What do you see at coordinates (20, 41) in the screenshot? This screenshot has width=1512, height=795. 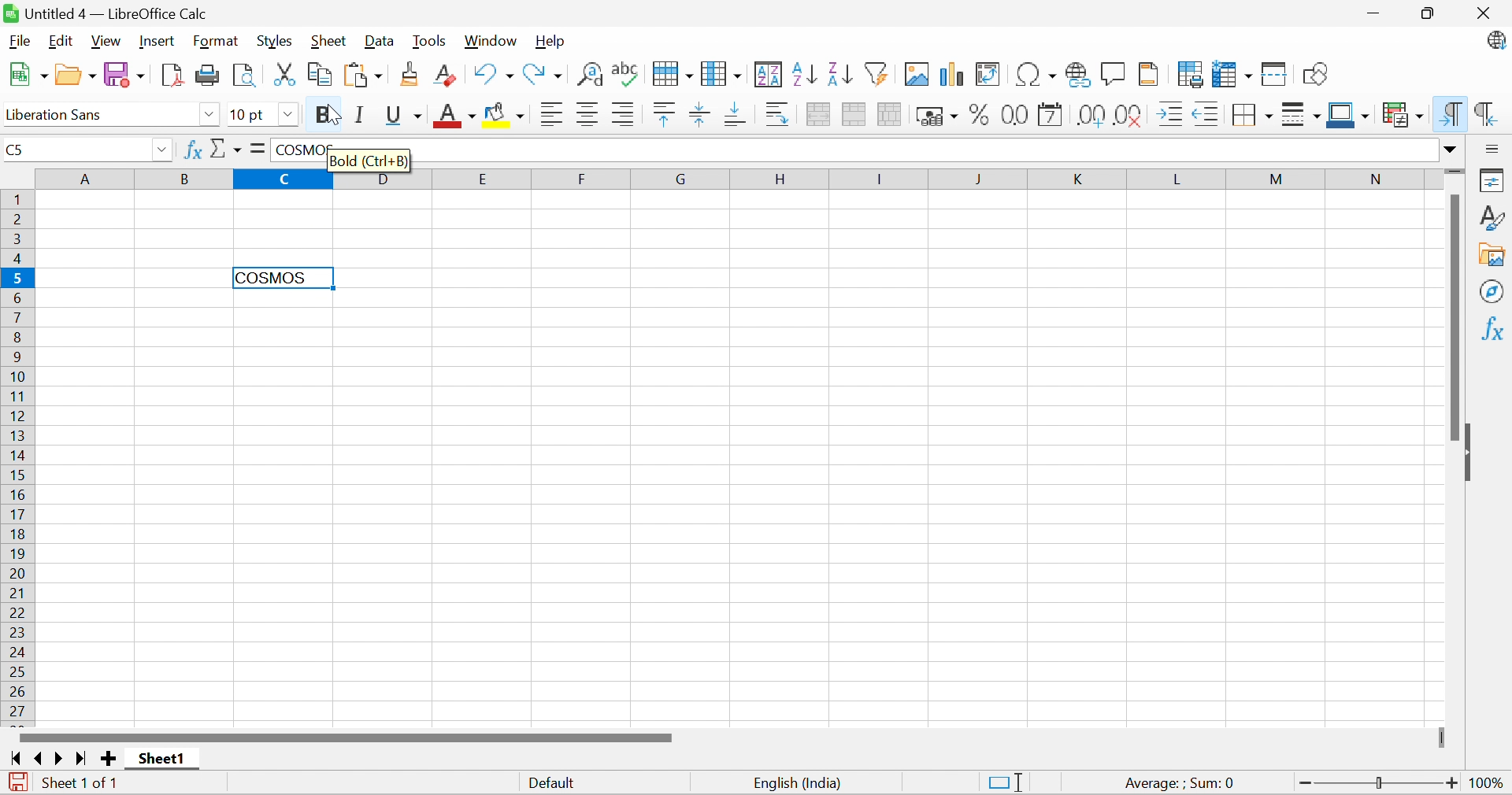 I see `File` at bounding box center [20, 41].